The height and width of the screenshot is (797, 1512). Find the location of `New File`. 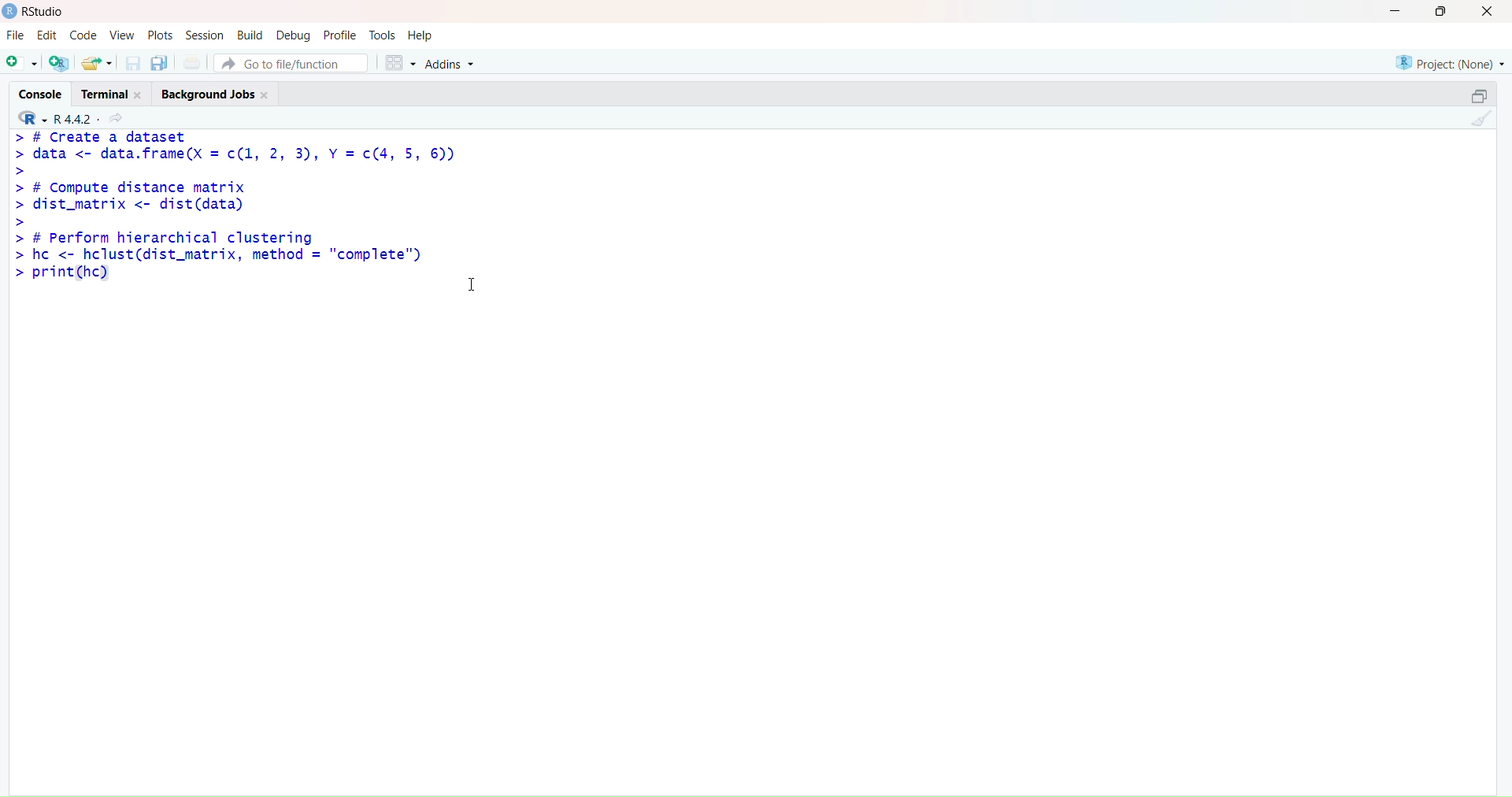

New File is located at coordinates (21, 61).